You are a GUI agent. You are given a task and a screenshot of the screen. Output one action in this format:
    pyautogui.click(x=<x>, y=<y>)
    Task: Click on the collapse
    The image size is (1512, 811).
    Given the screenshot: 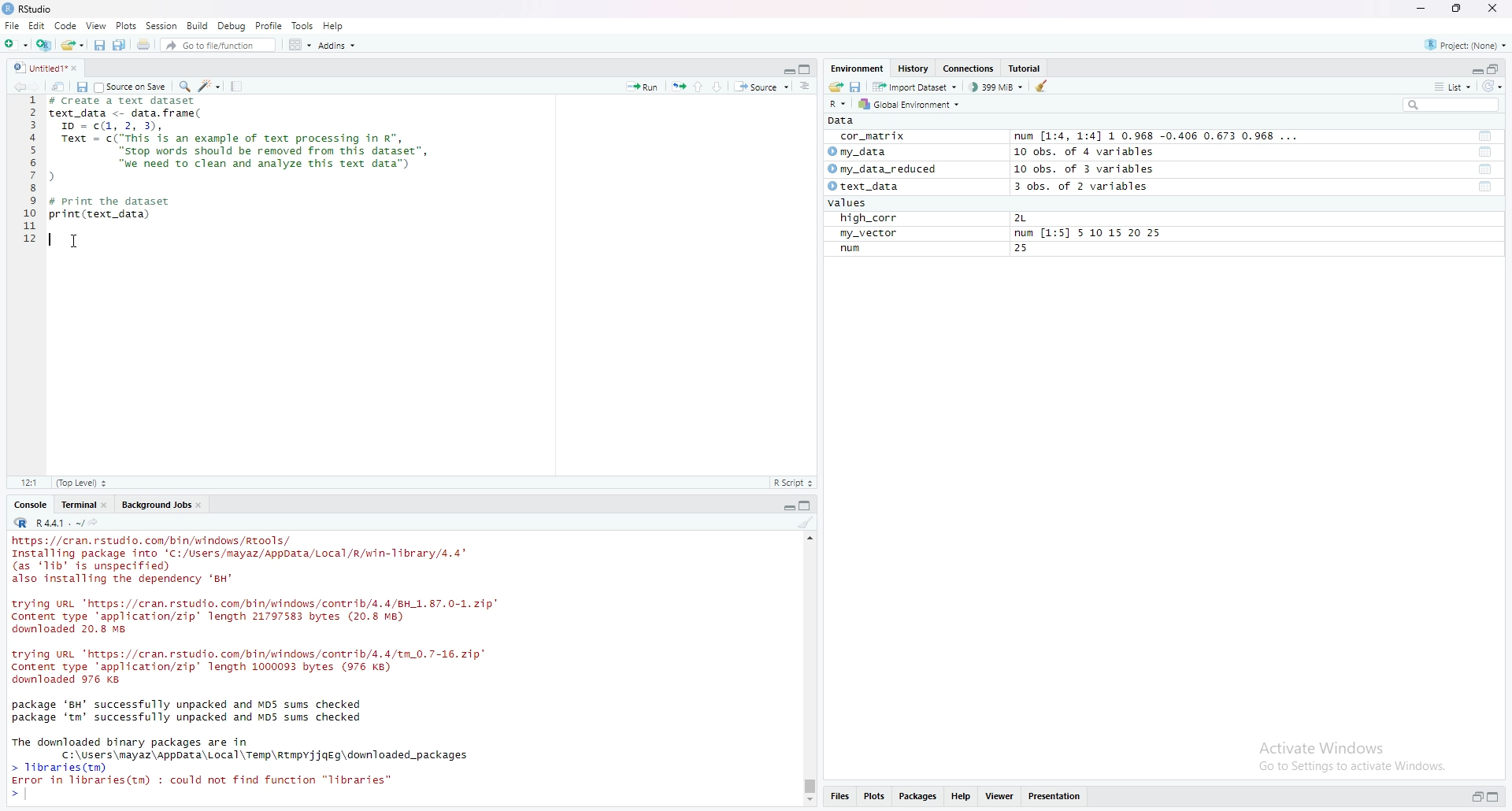 What is the action you would take?
    pyautogui.click(x=807, y=505)
    